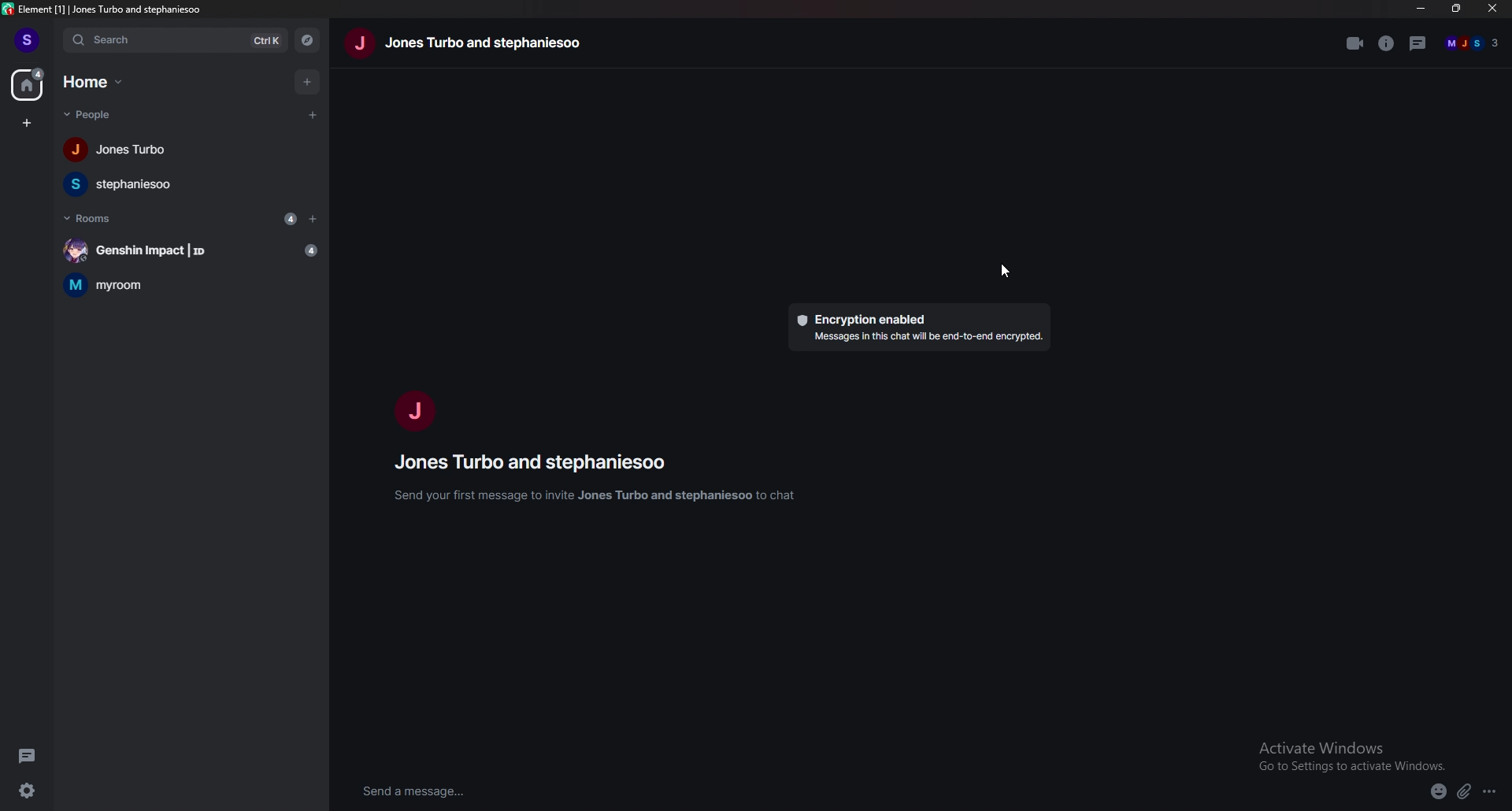 The height and width of the screenshot is (811, 1512). Describe the element at coordinates (1457, 8) in the screenshot. I see `resize` at that location.